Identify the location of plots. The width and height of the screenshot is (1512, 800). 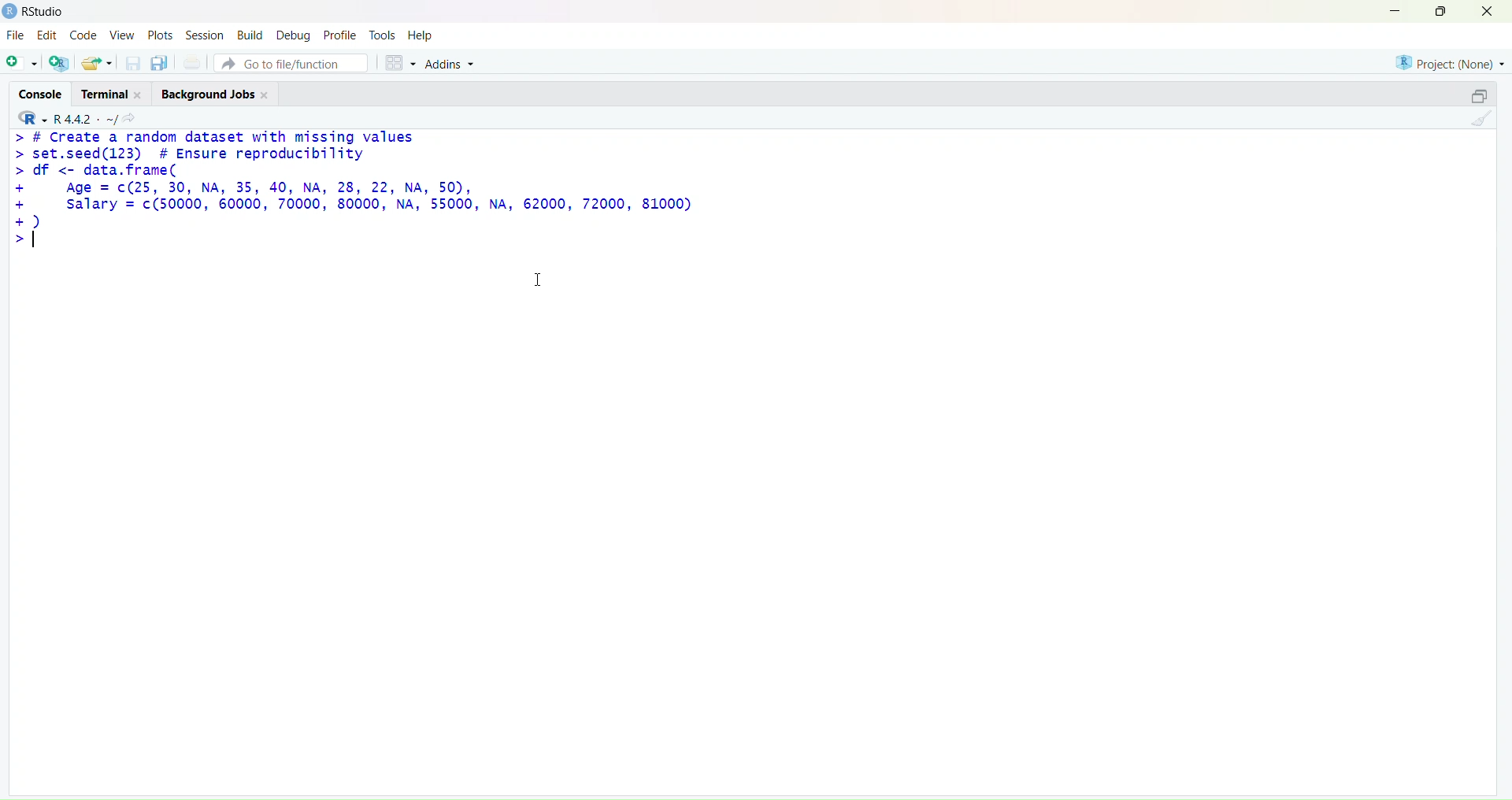
(160, 34).